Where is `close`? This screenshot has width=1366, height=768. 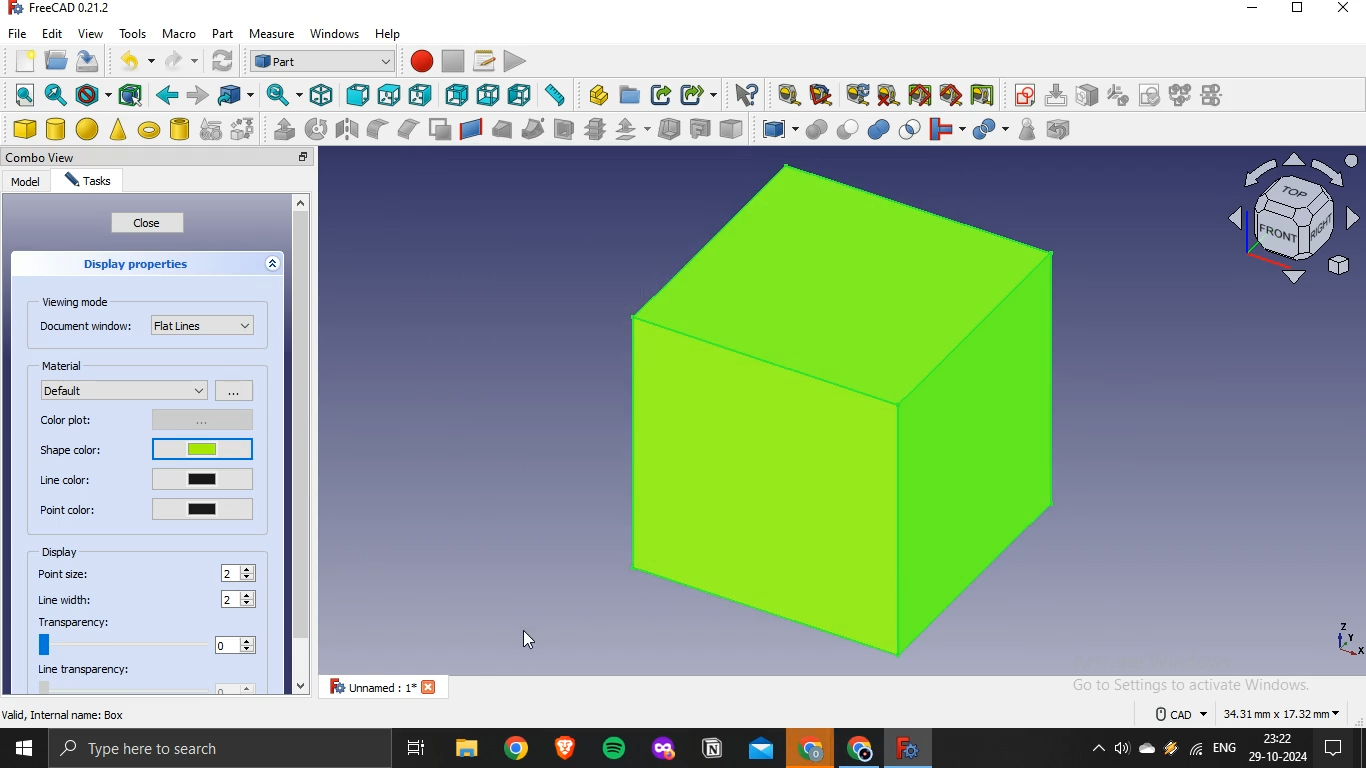 close is located at coordinates (304, 158).